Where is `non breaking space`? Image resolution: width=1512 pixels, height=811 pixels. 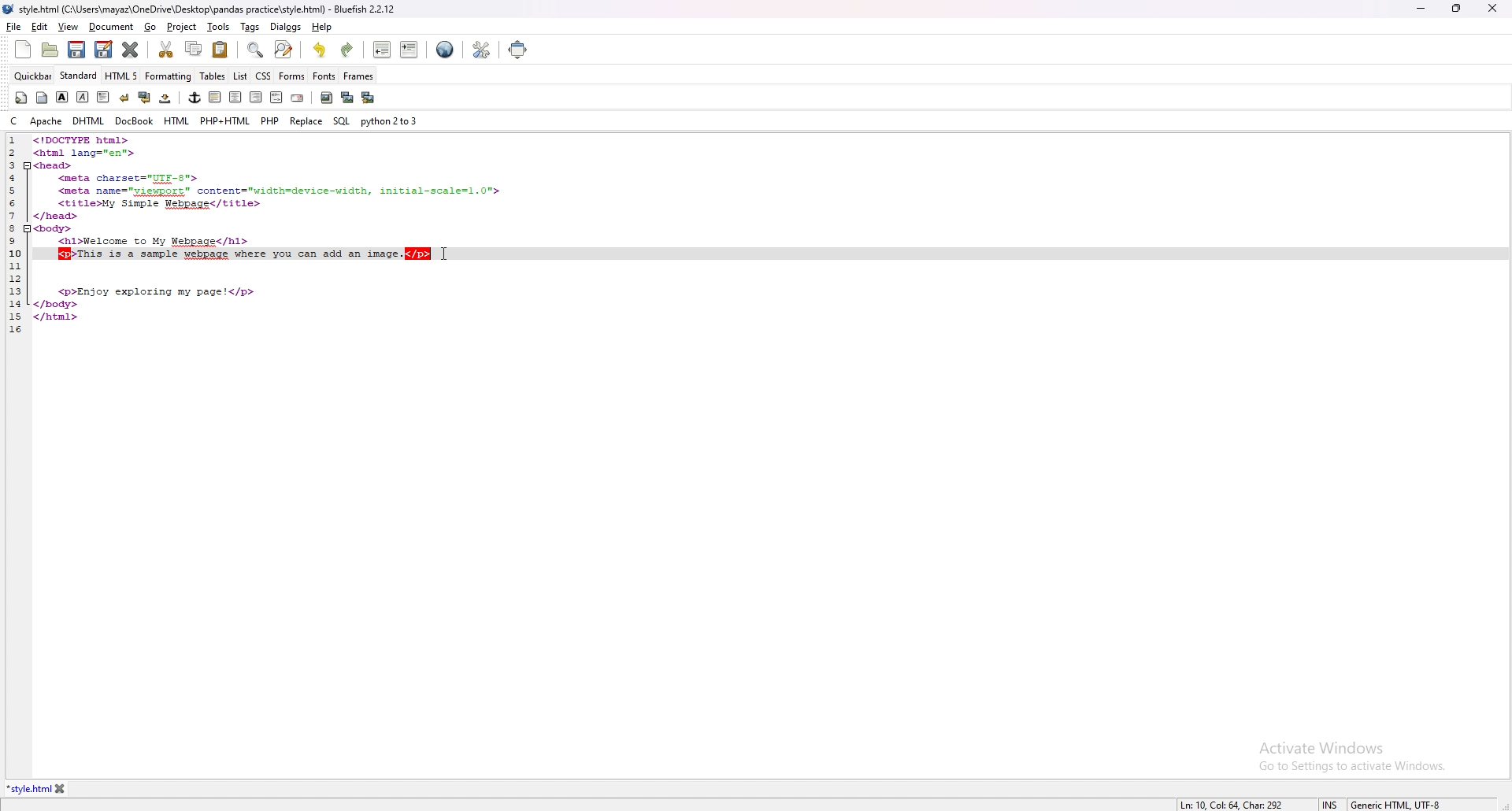 non breaking space is located at coordinates (165, 98).